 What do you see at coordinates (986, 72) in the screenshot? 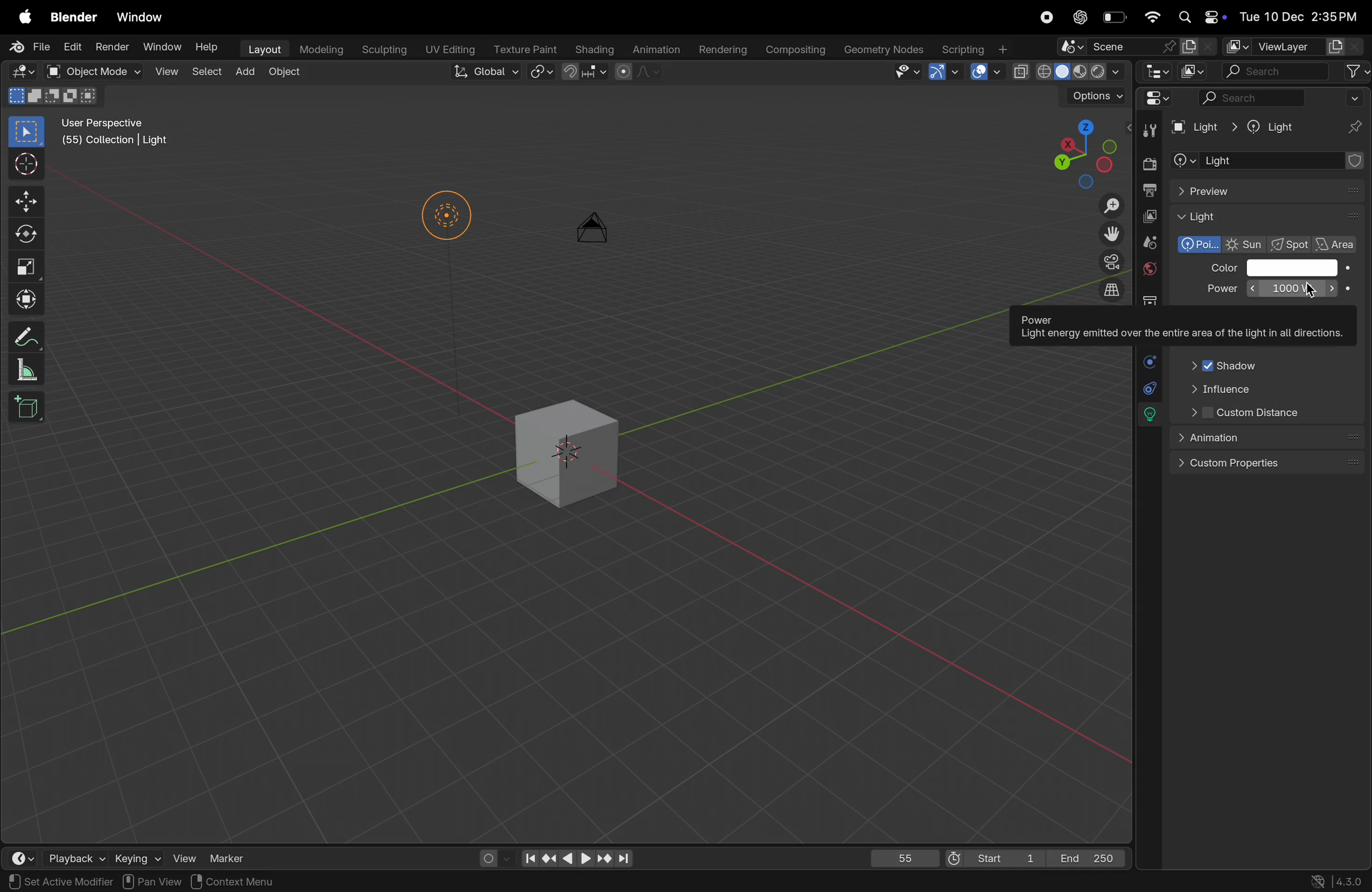
I see `show overlays` at bounding box center [986, 72].